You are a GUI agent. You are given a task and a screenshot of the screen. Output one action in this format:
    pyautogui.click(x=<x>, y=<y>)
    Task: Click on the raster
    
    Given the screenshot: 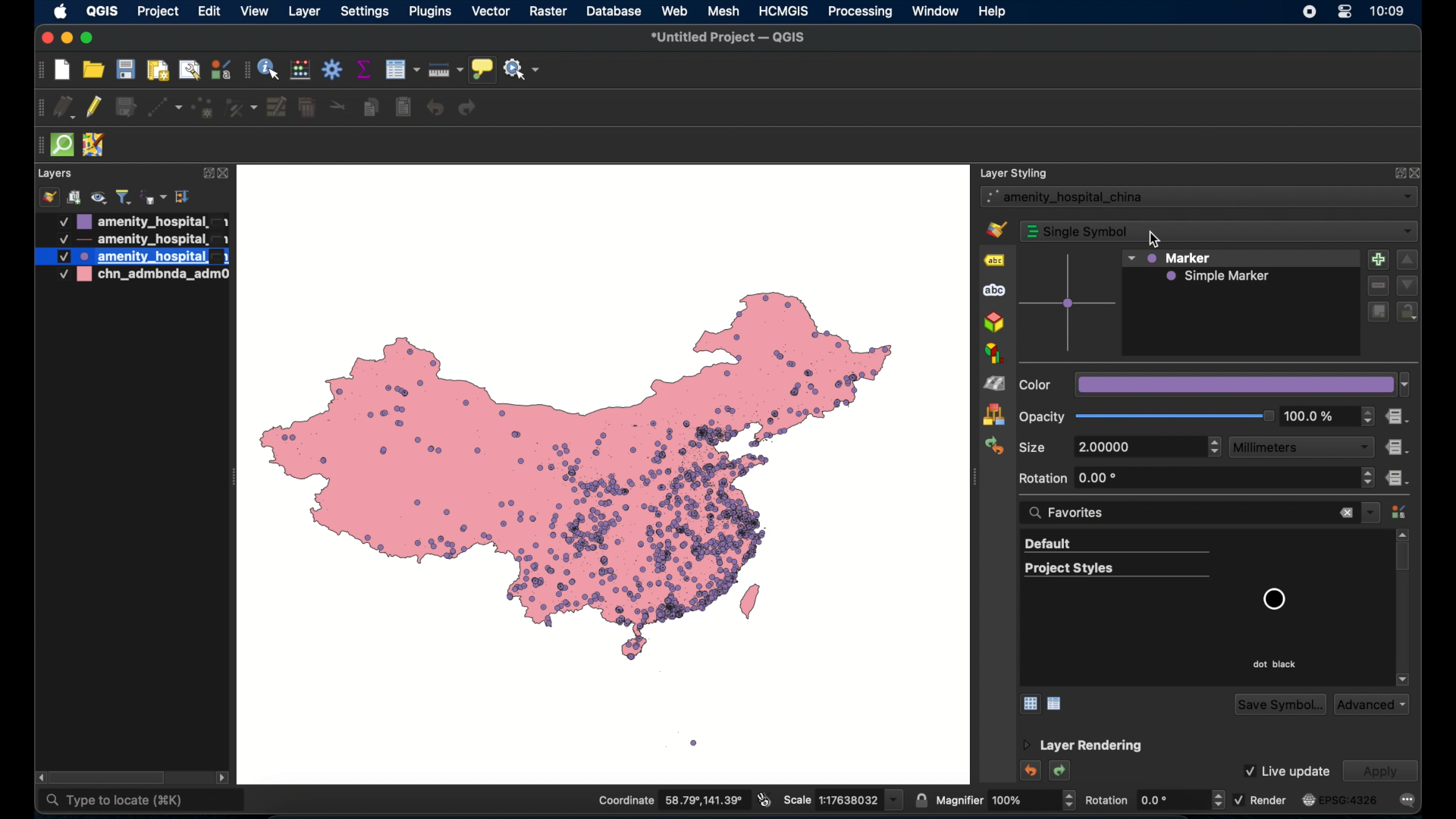 What is the action you would take?
    pyautogui.click(x=548, y=11)
    